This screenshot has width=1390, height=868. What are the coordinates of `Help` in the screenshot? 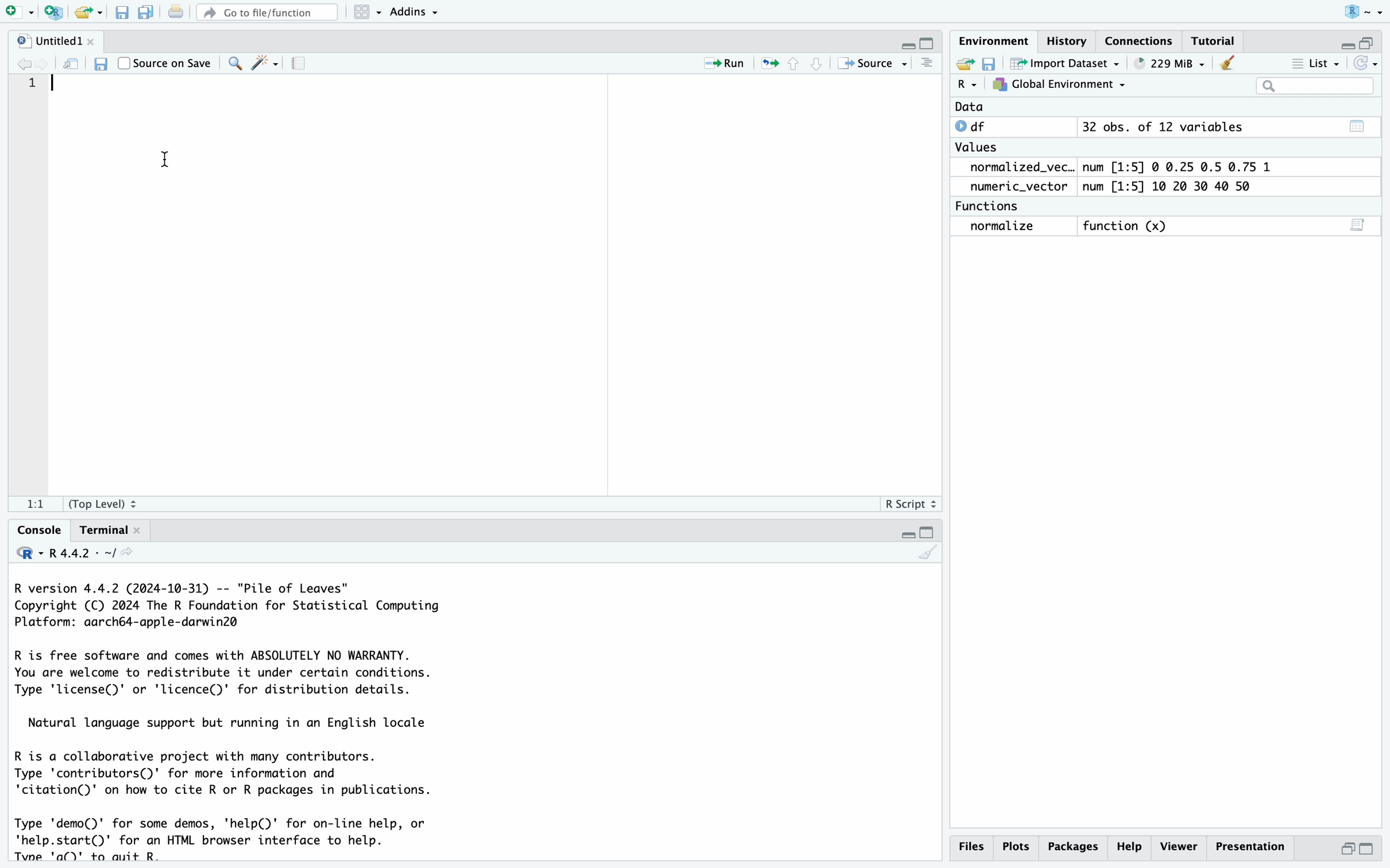 It's located at (1072, 846).